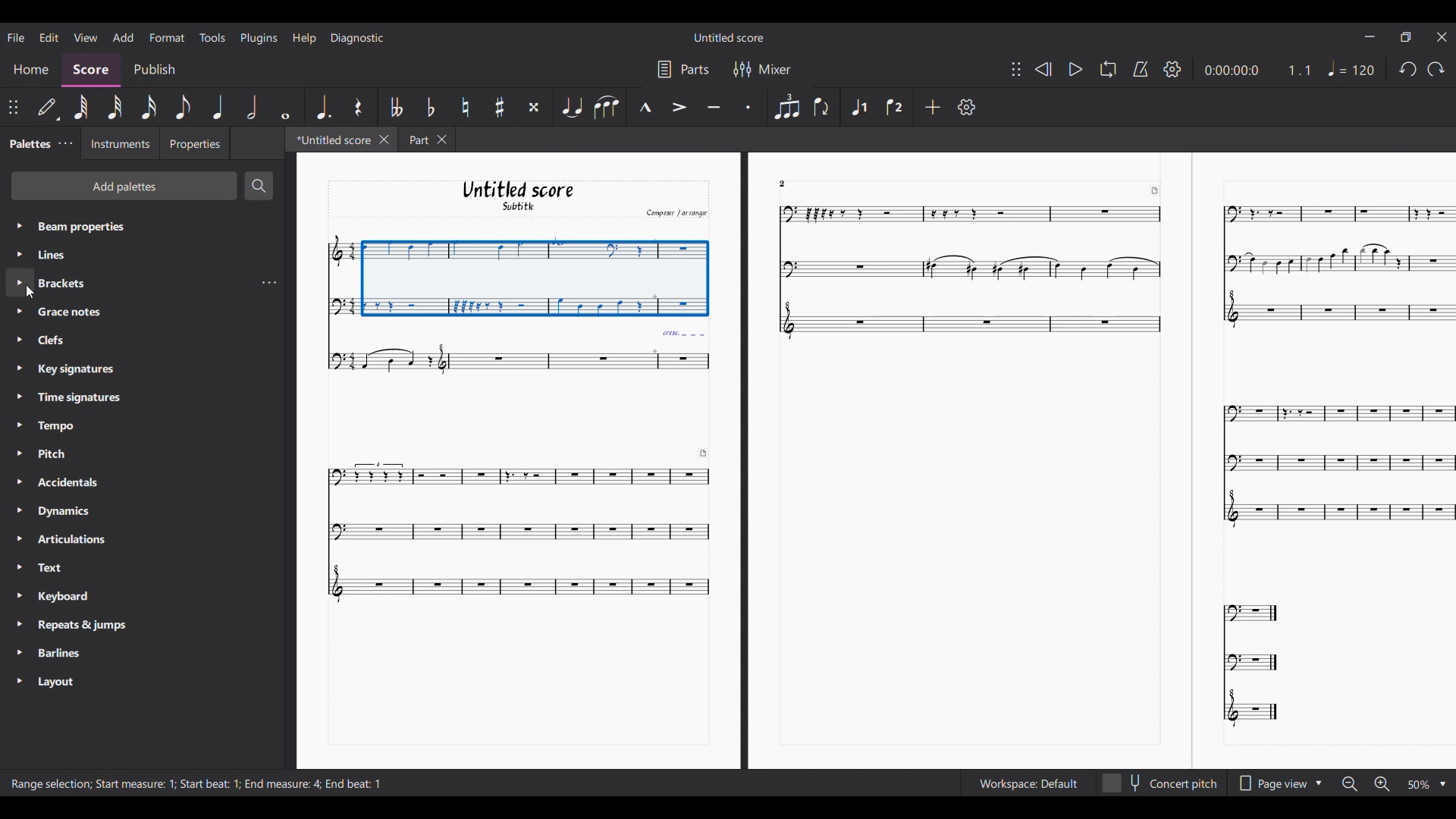 Image resolution: width=1456 pixels, height=819 pixels. I want to click on , so click(1250, 661).